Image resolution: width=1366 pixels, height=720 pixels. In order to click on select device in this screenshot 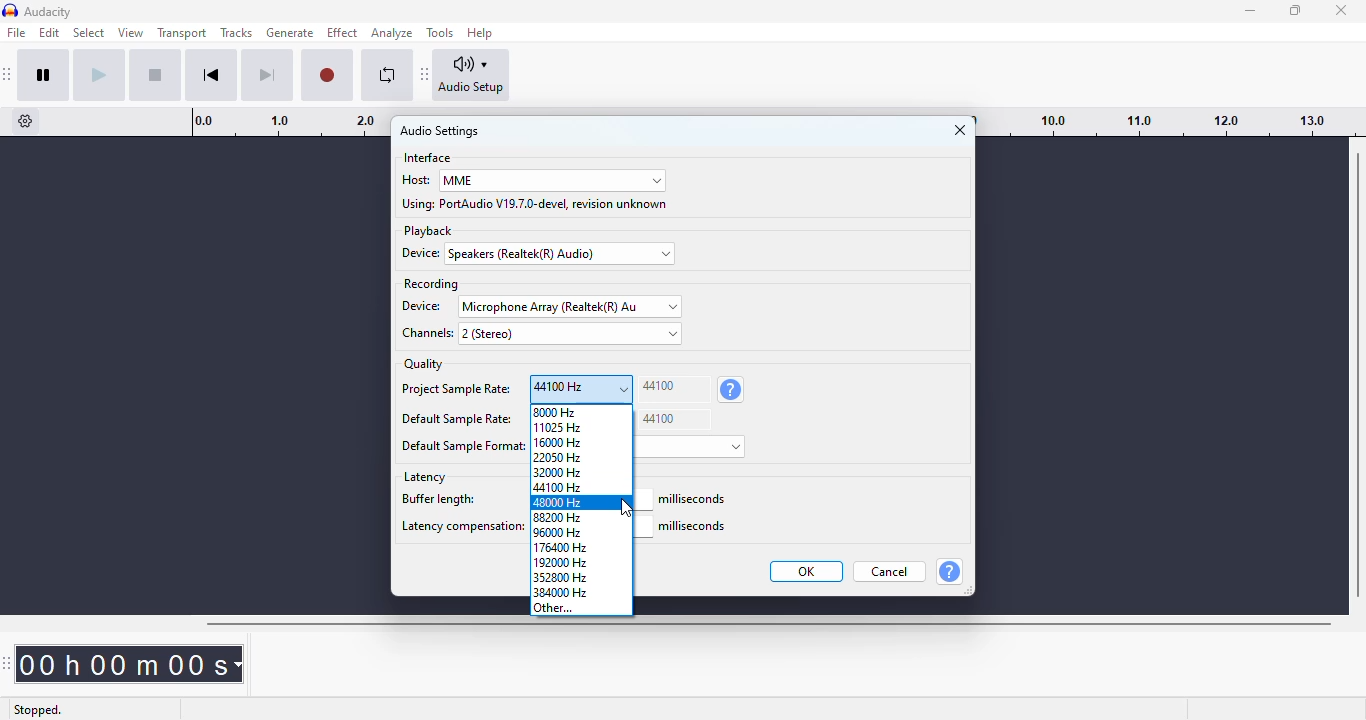, I will do `click(570, 306)`.